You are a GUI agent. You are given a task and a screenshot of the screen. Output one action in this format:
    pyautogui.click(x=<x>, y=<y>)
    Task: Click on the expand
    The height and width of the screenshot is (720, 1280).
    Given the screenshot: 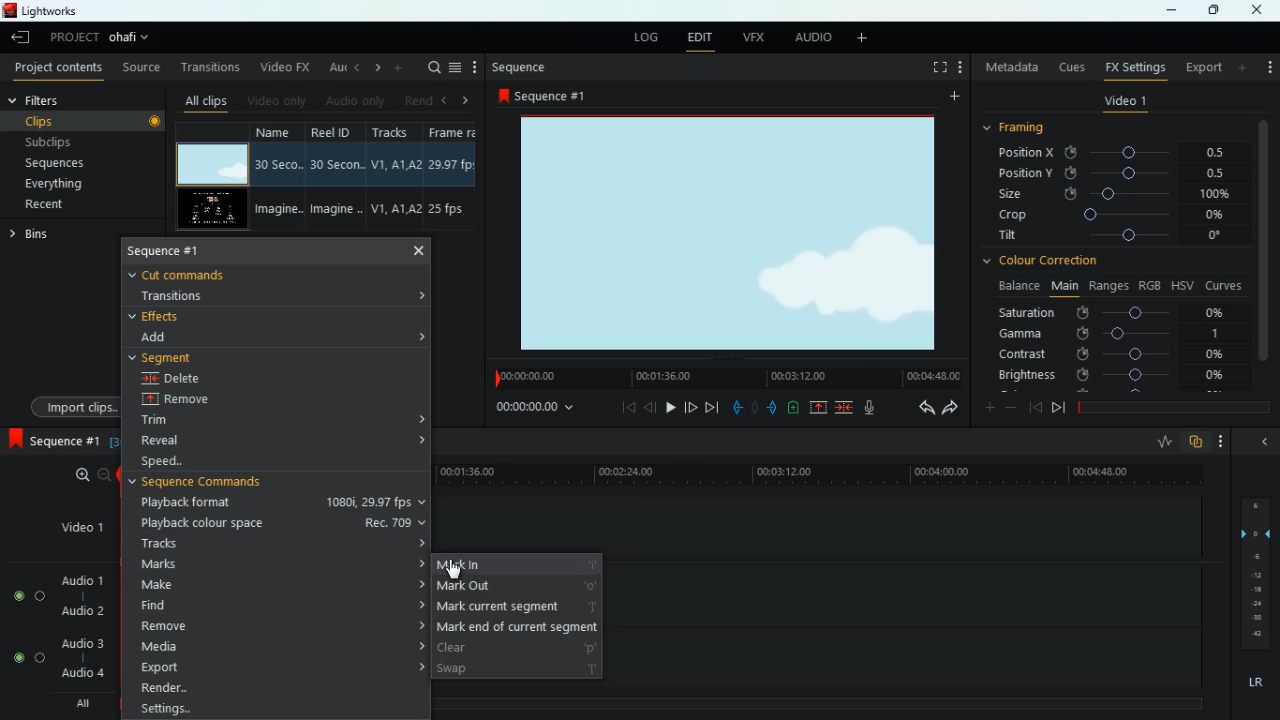 What is the action you would take?
    pyautogui.click(x=419, y=416)
    